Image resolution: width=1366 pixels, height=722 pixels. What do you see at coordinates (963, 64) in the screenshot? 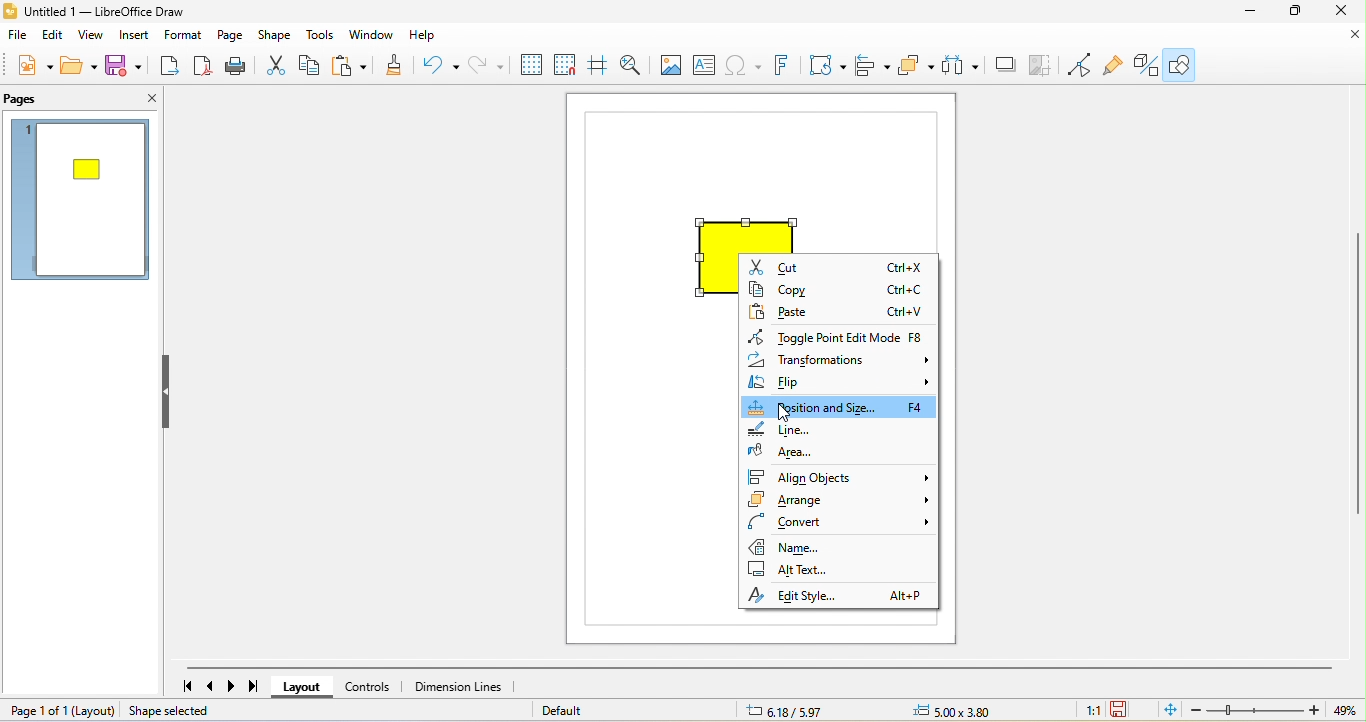
I see `select at least three object to distribute` at bounding box center [963, 64].